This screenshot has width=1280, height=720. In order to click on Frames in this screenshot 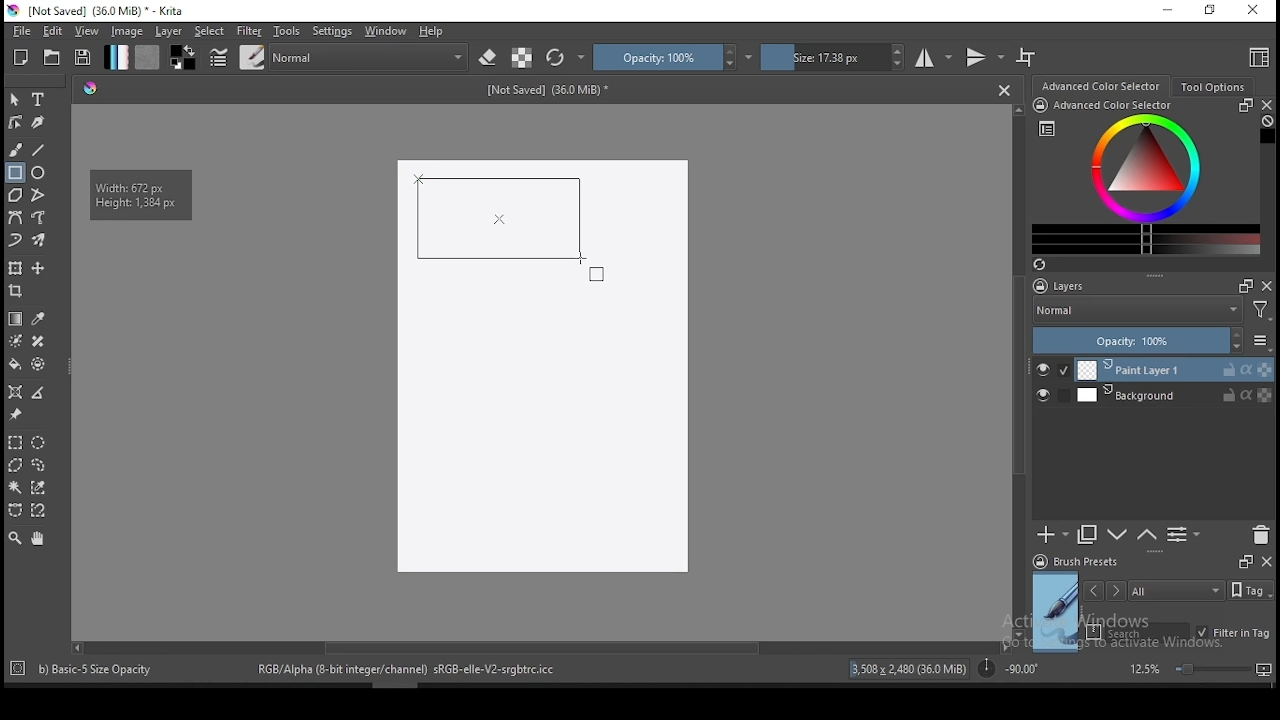, I will do `click(1240, 285)`.